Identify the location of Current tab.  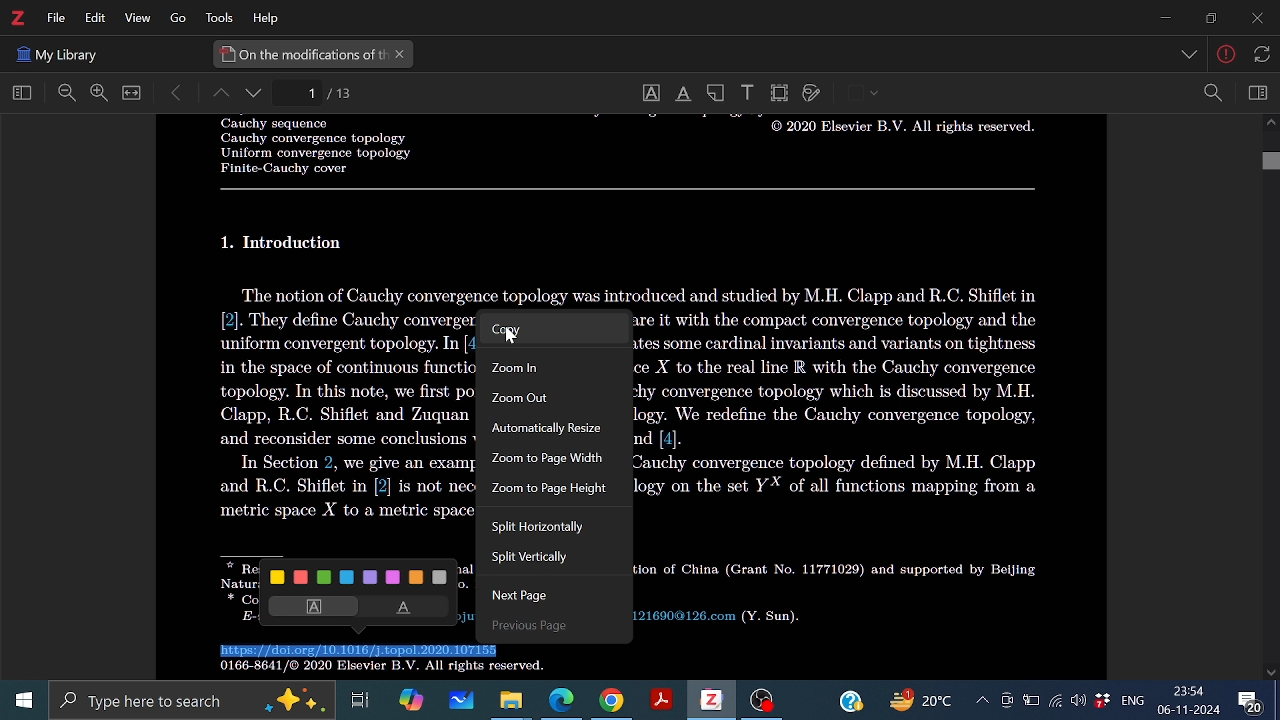
(301, 54).